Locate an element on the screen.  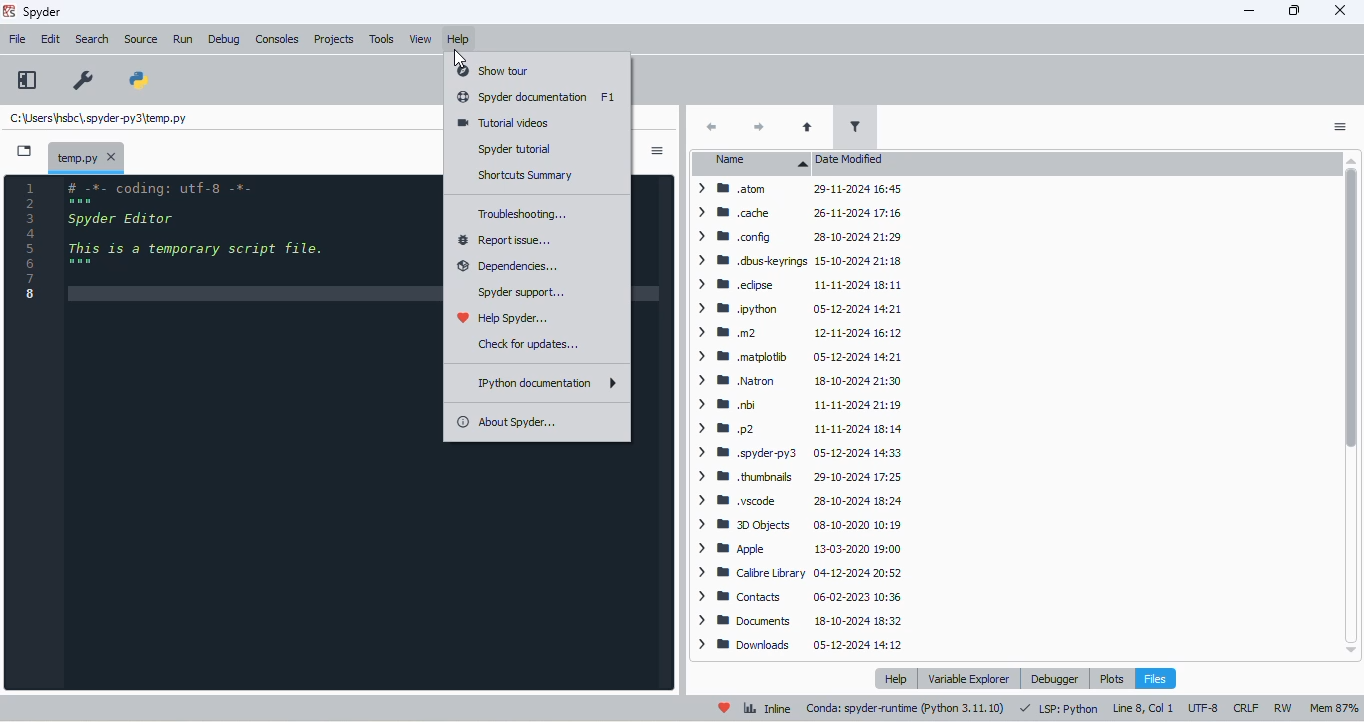
close is located at coordinates (1339, 10).